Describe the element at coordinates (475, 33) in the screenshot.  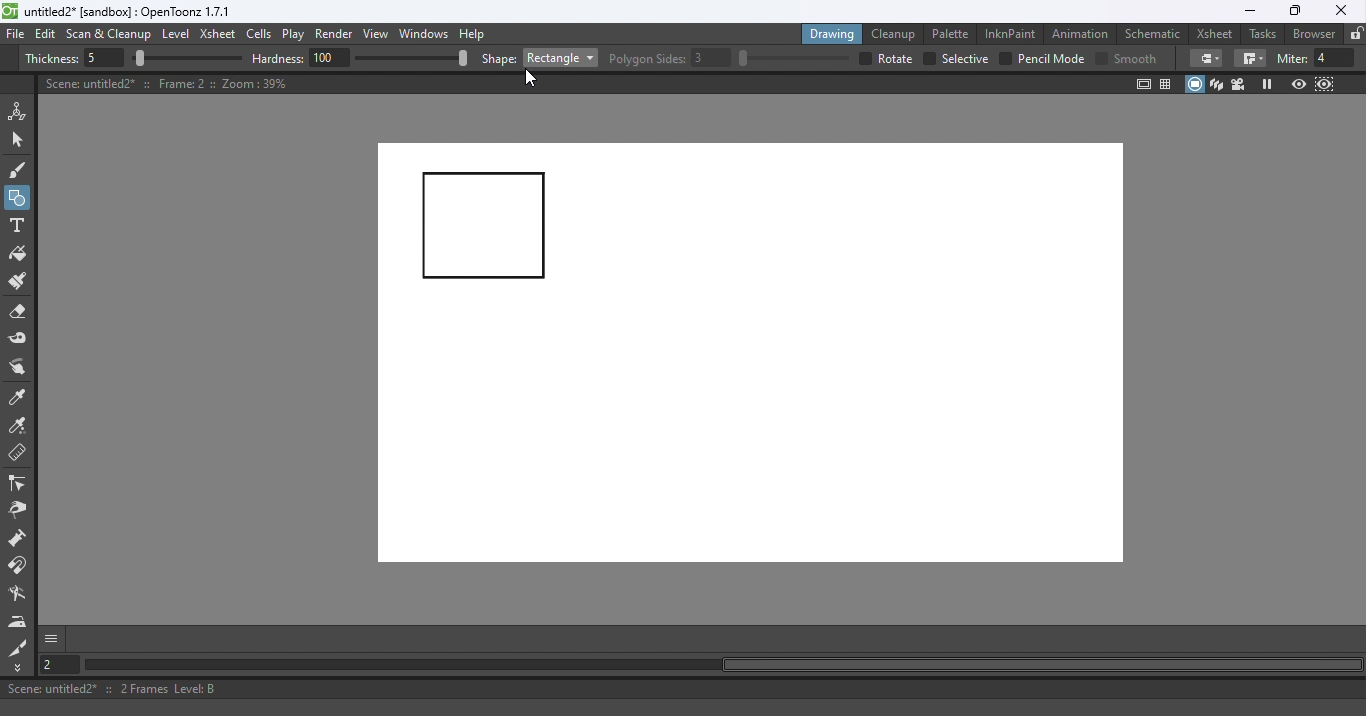
I see `Help` at that location.